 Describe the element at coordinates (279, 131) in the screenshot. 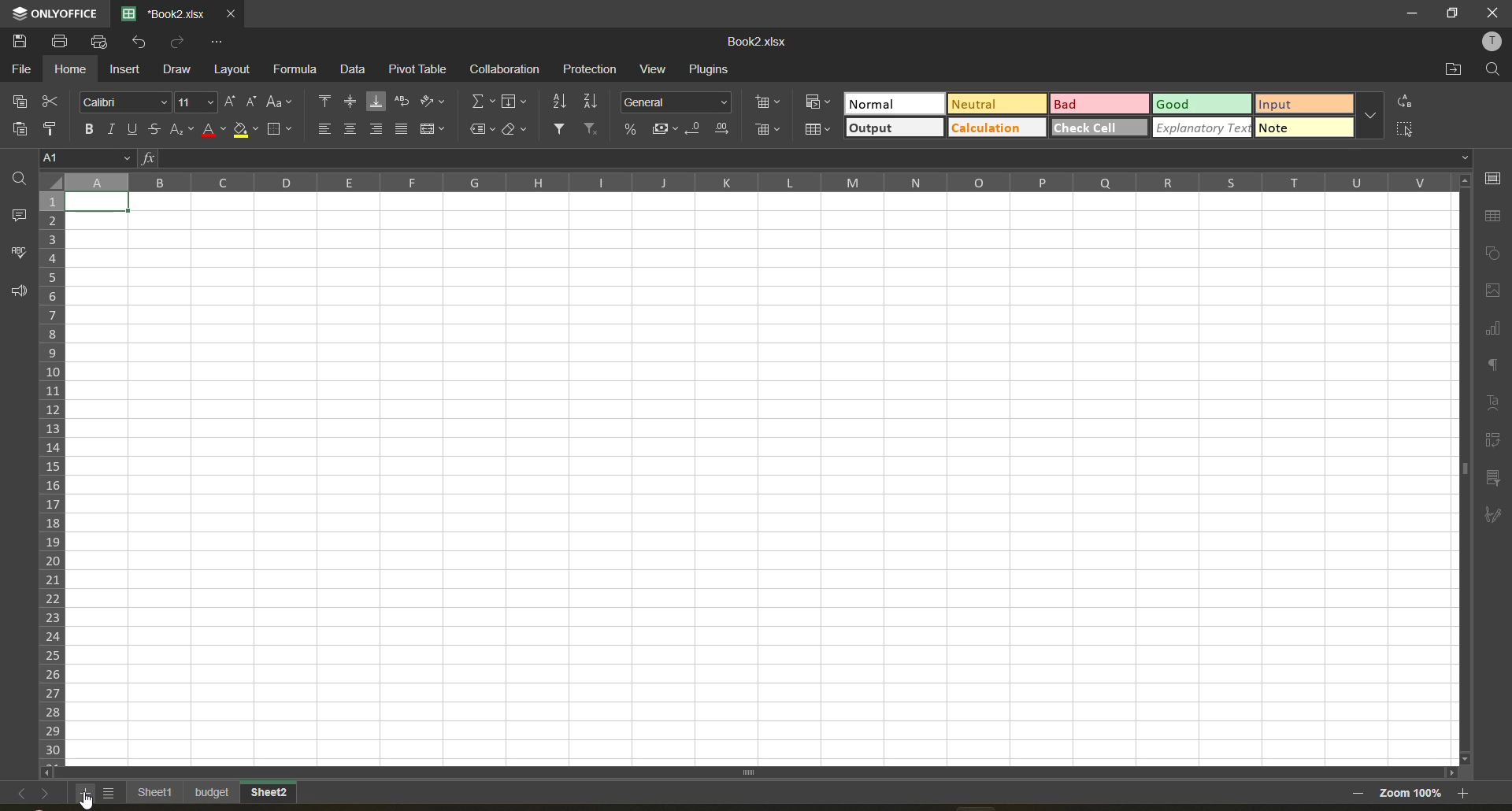

I see `borders` at that location.